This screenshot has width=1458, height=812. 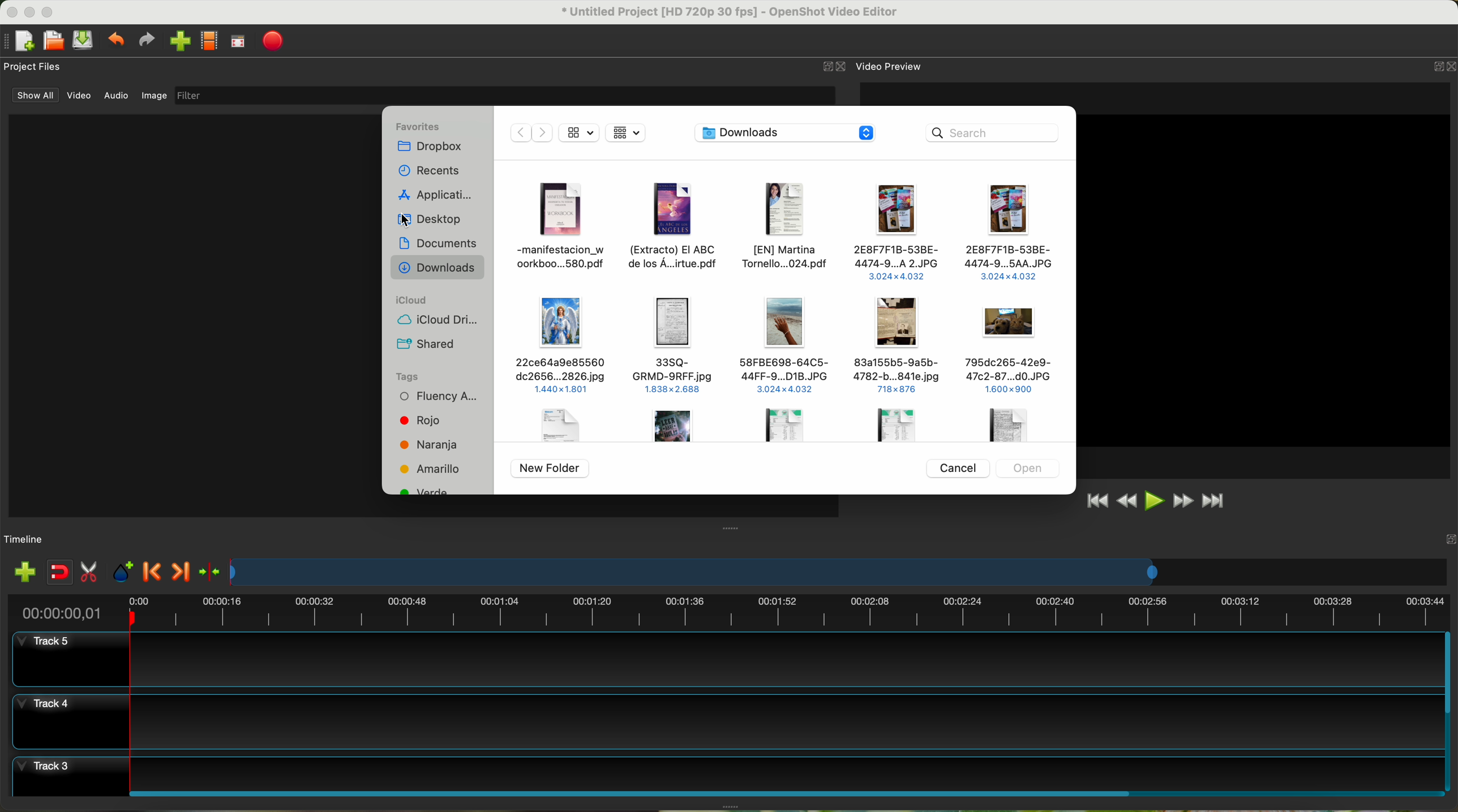 What do you see at coordinates (55, 40) in the screenshot?
I see `open project` at bounding box center [55, 40].